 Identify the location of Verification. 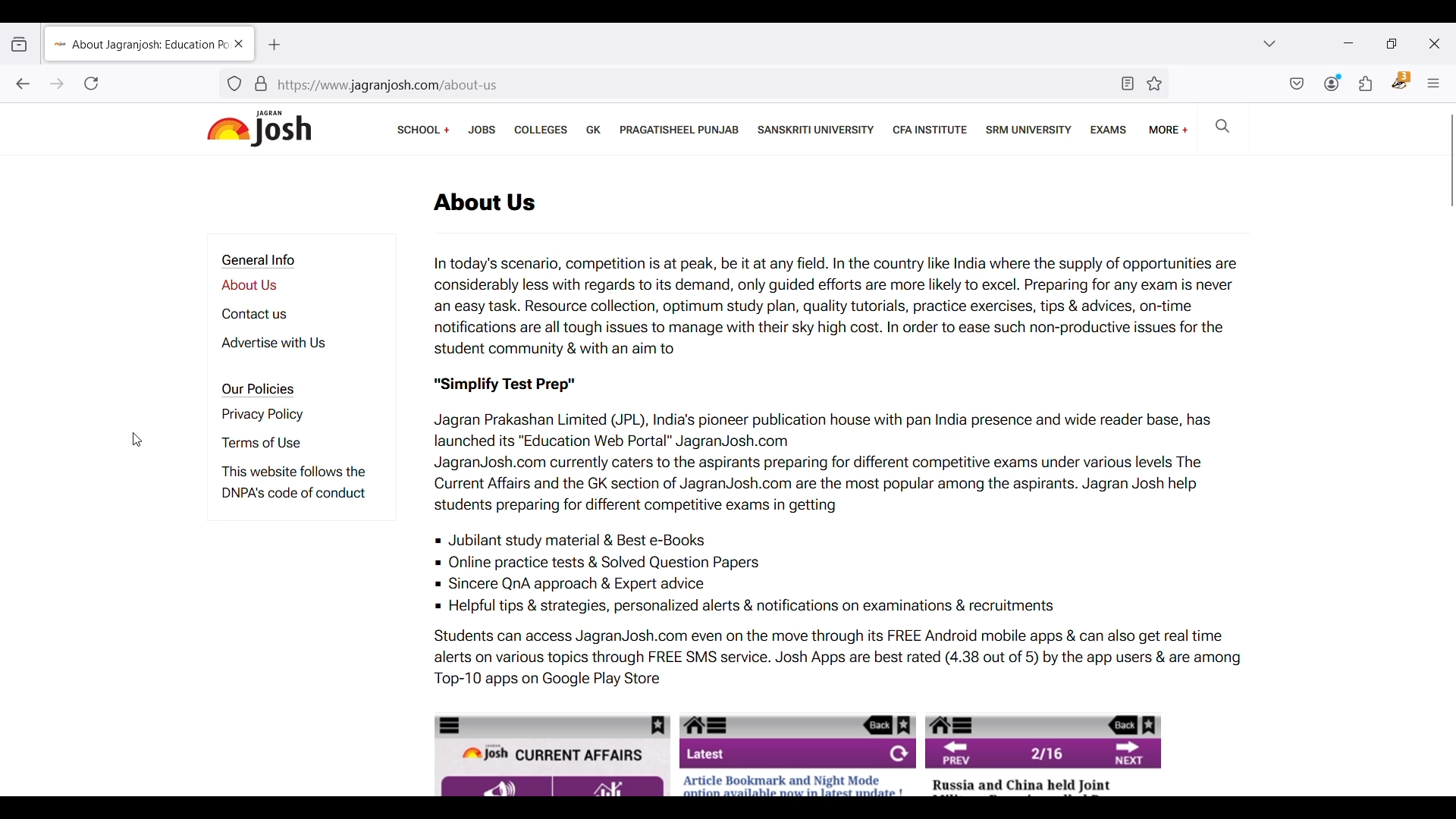
(261, 83).